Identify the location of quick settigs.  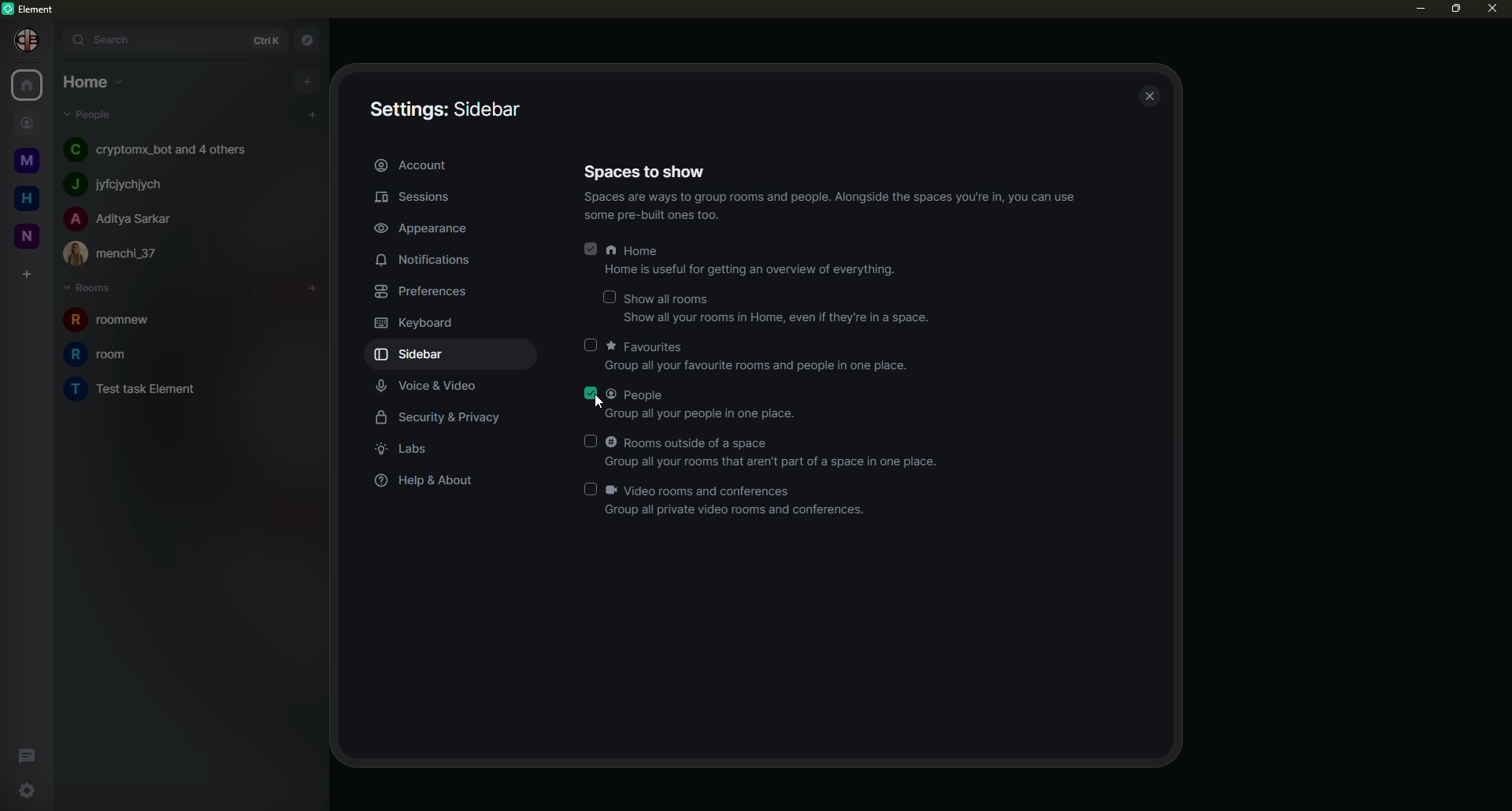
(29, 792).